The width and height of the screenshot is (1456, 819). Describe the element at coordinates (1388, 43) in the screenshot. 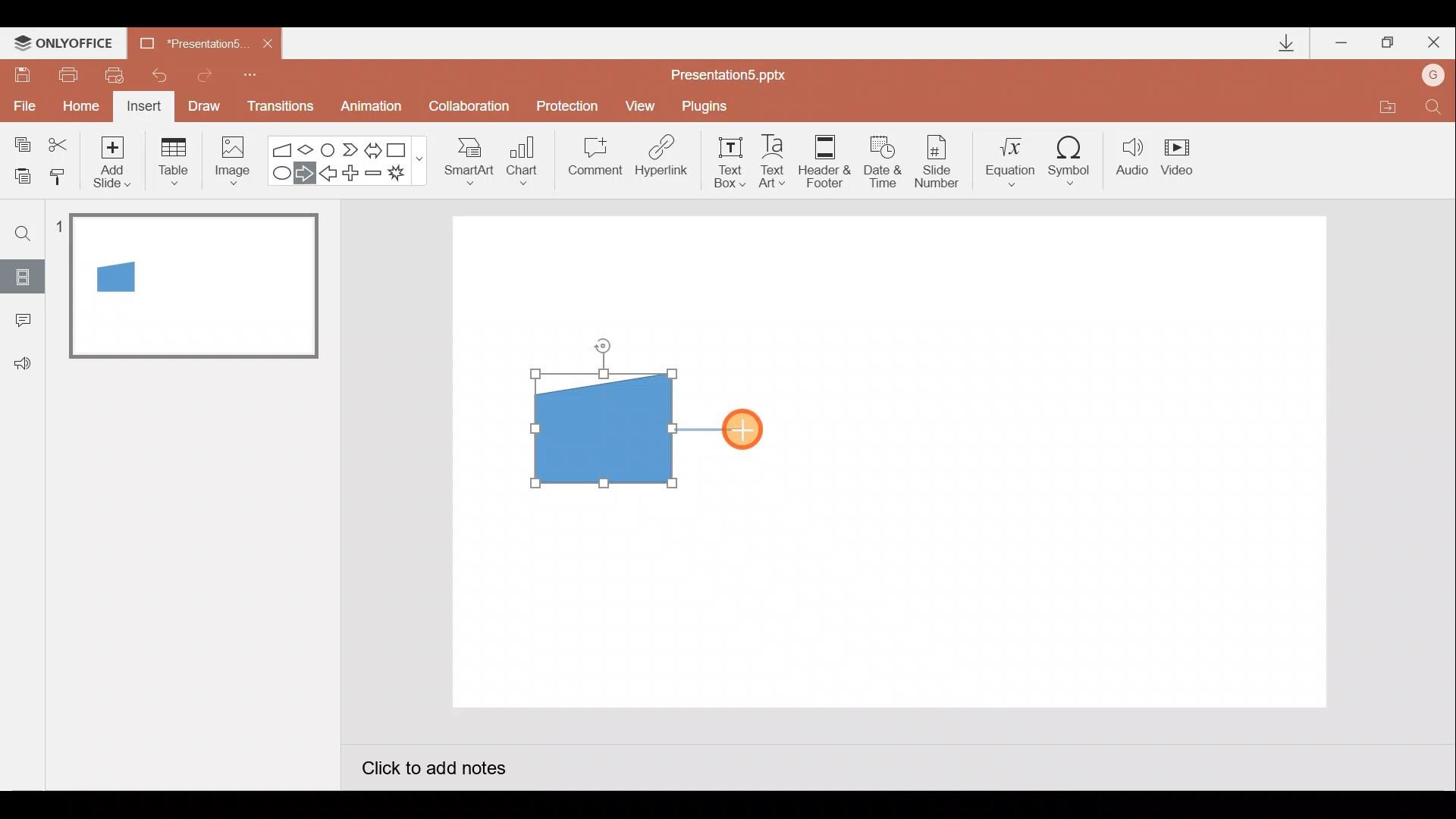

I see `Maximize` at that location.